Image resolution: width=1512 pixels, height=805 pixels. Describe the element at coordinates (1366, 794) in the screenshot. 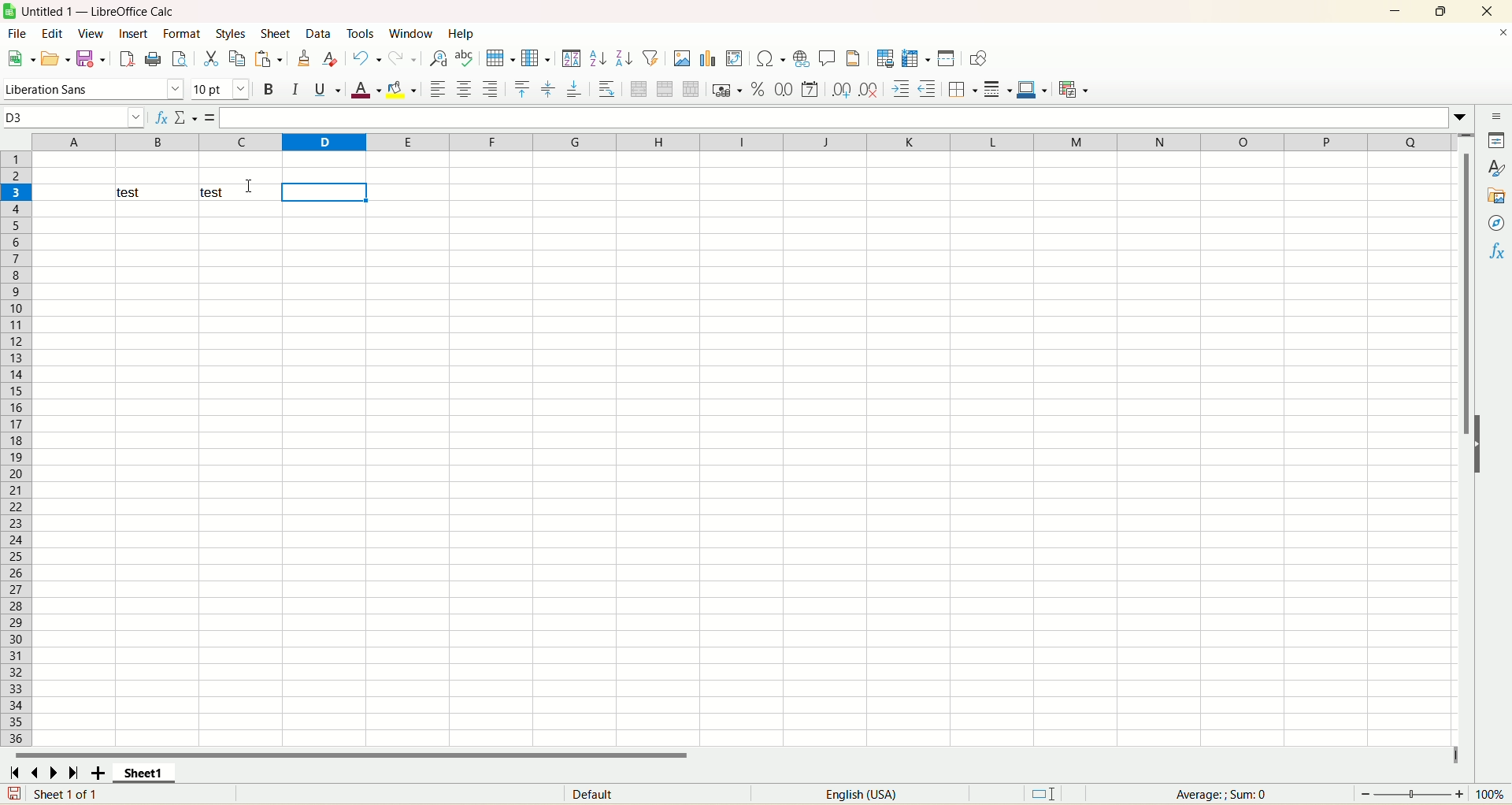

I see `Zoom out` at that location.